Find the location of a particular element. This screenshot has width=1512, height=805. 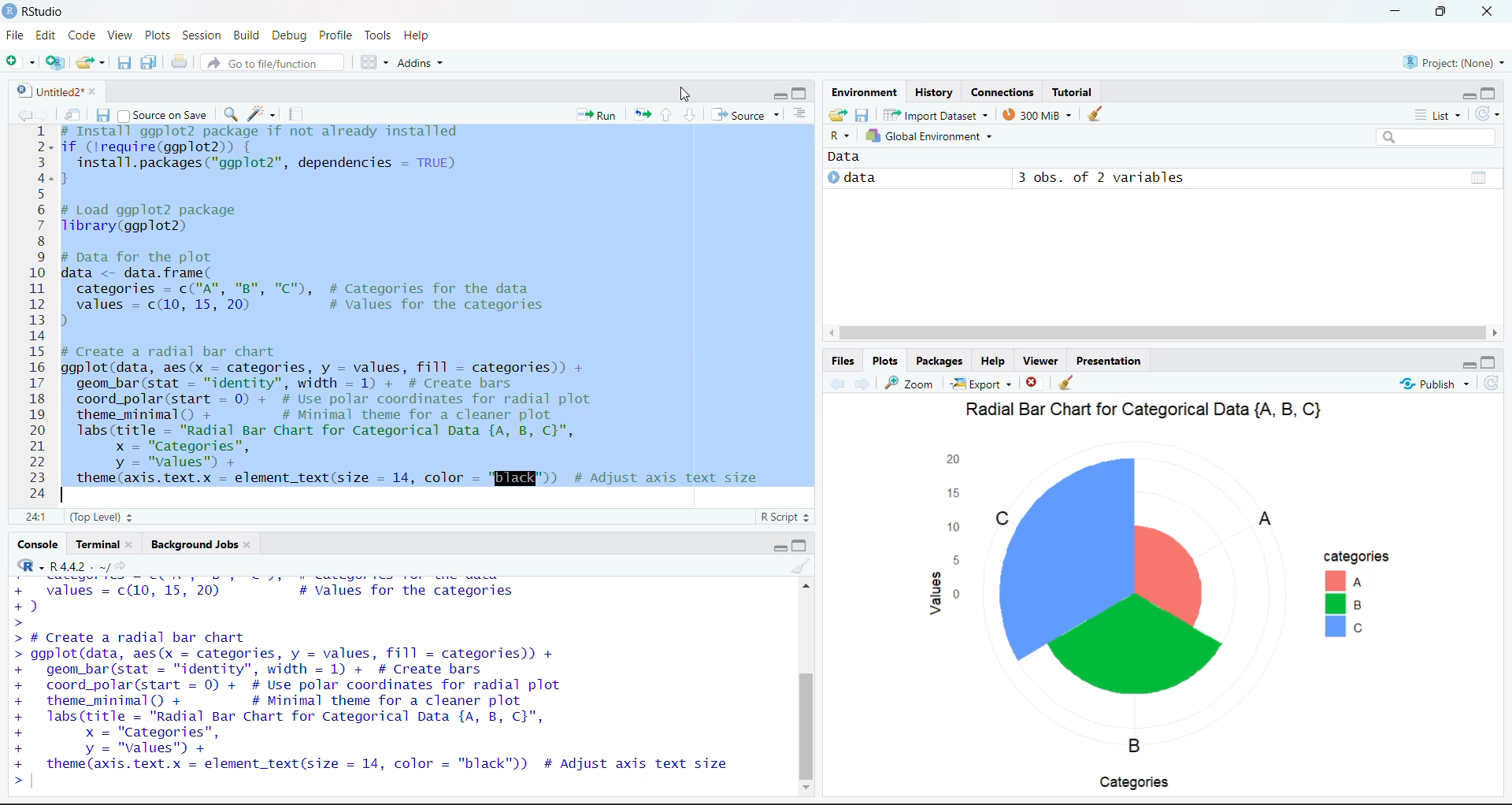

Help is located at coordinates (996, 359).